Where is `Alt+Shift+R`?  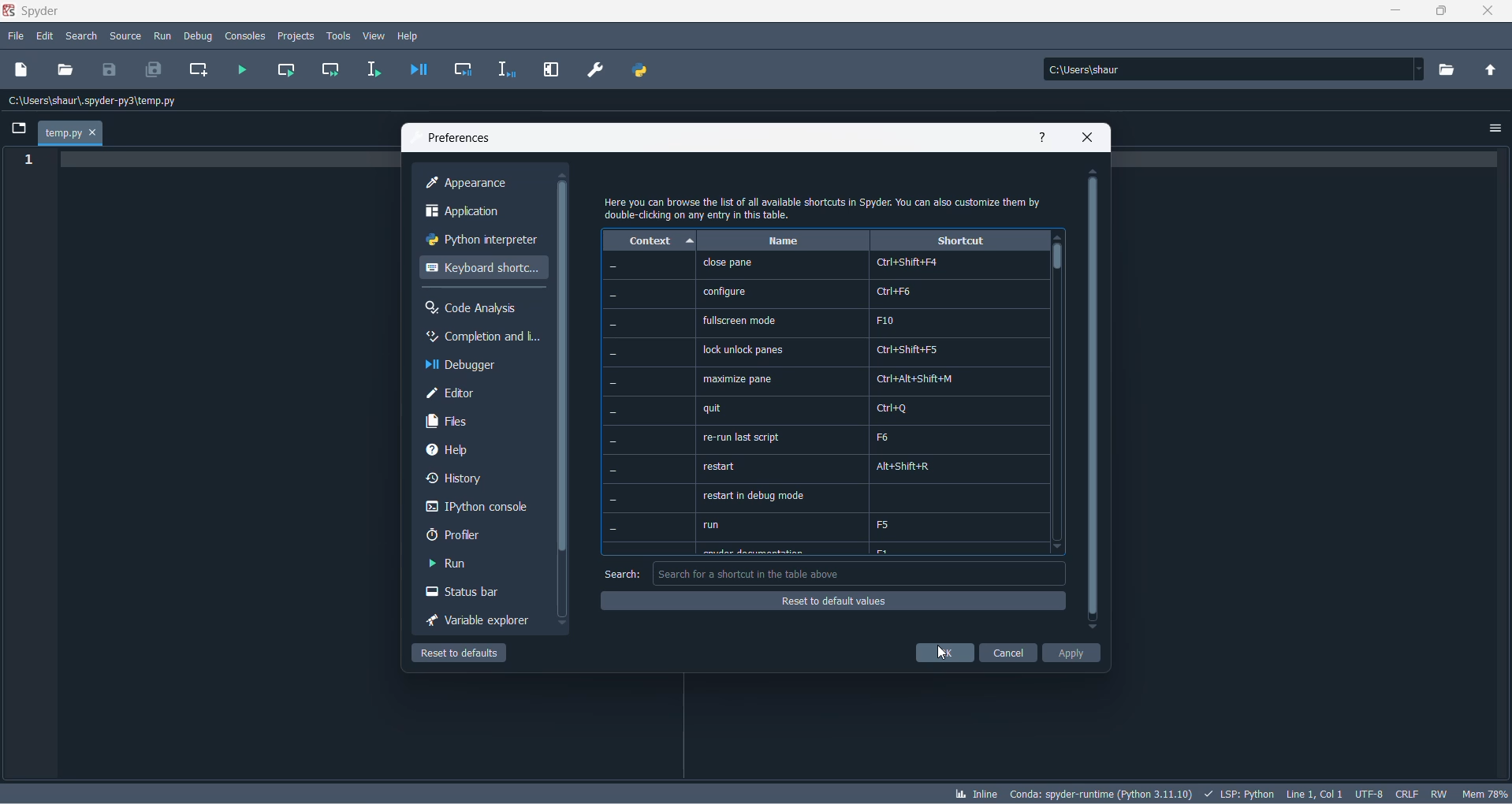 Alt+Shift+R is located at coordinates (911, 466).